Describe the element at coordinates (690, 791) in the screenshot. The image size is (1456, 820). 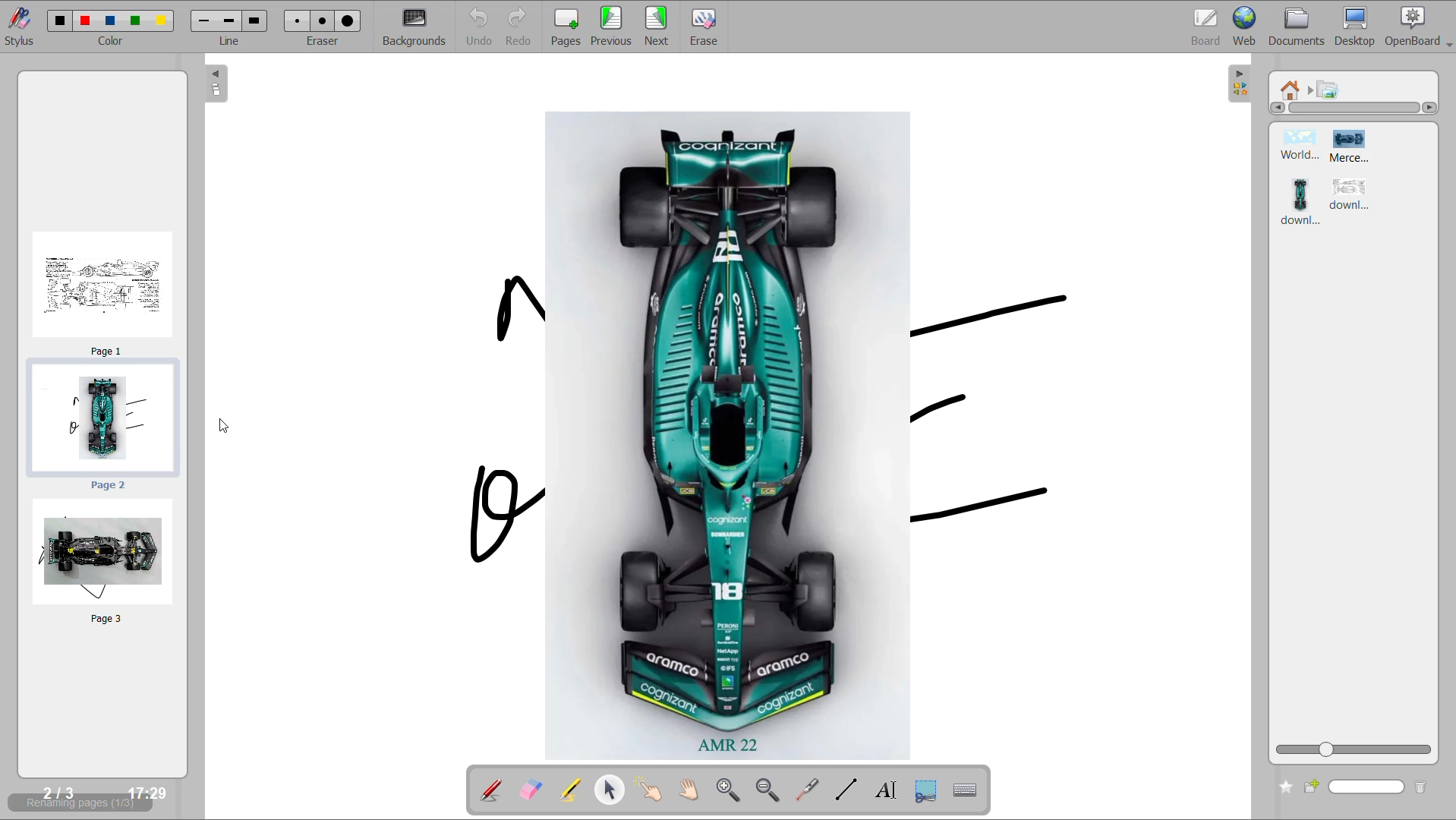
I see `scroll page` at that location.